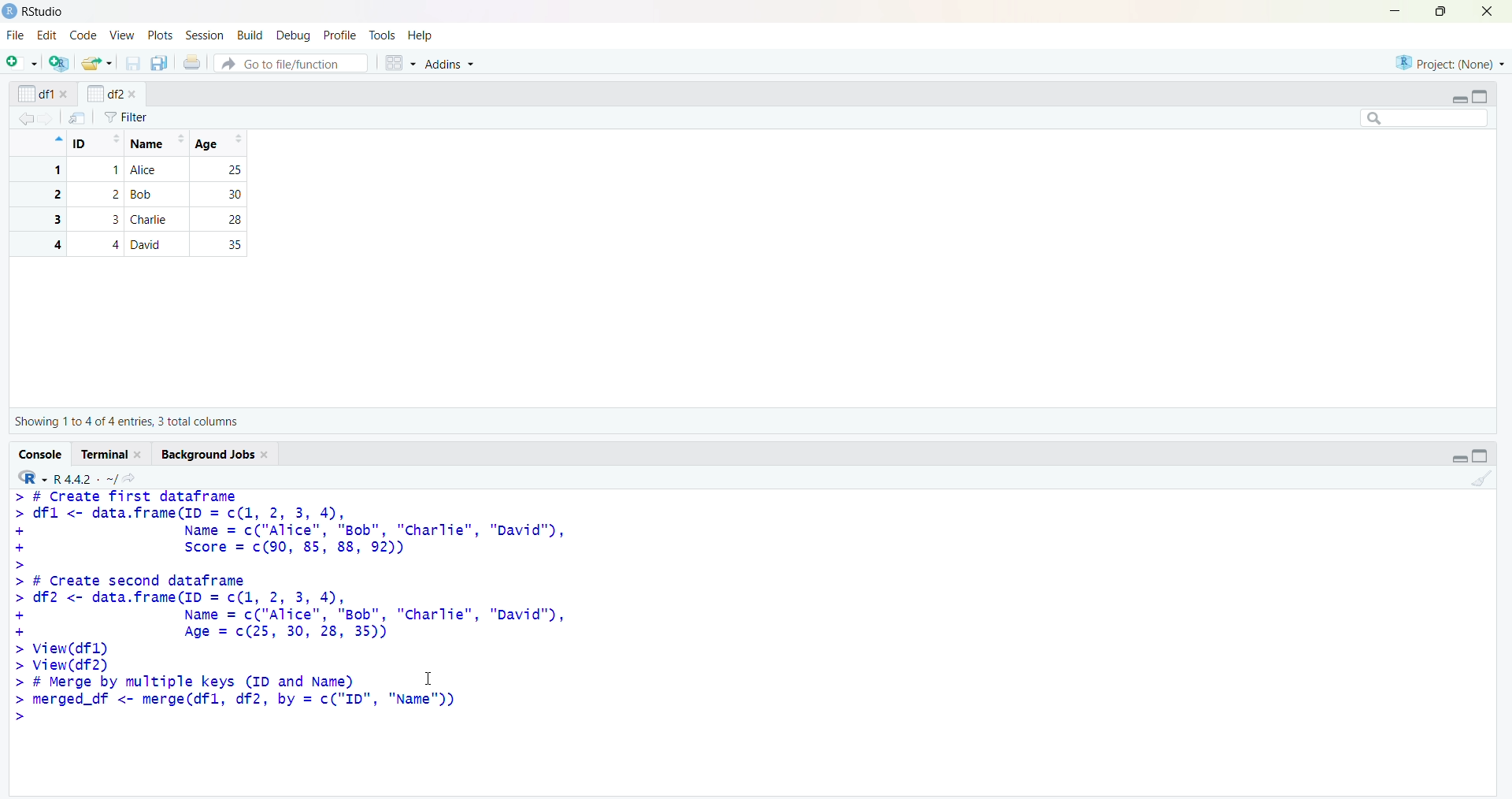 The width and height of the screenshot is (1512, 799). I want to click on session, so click(208, 35).